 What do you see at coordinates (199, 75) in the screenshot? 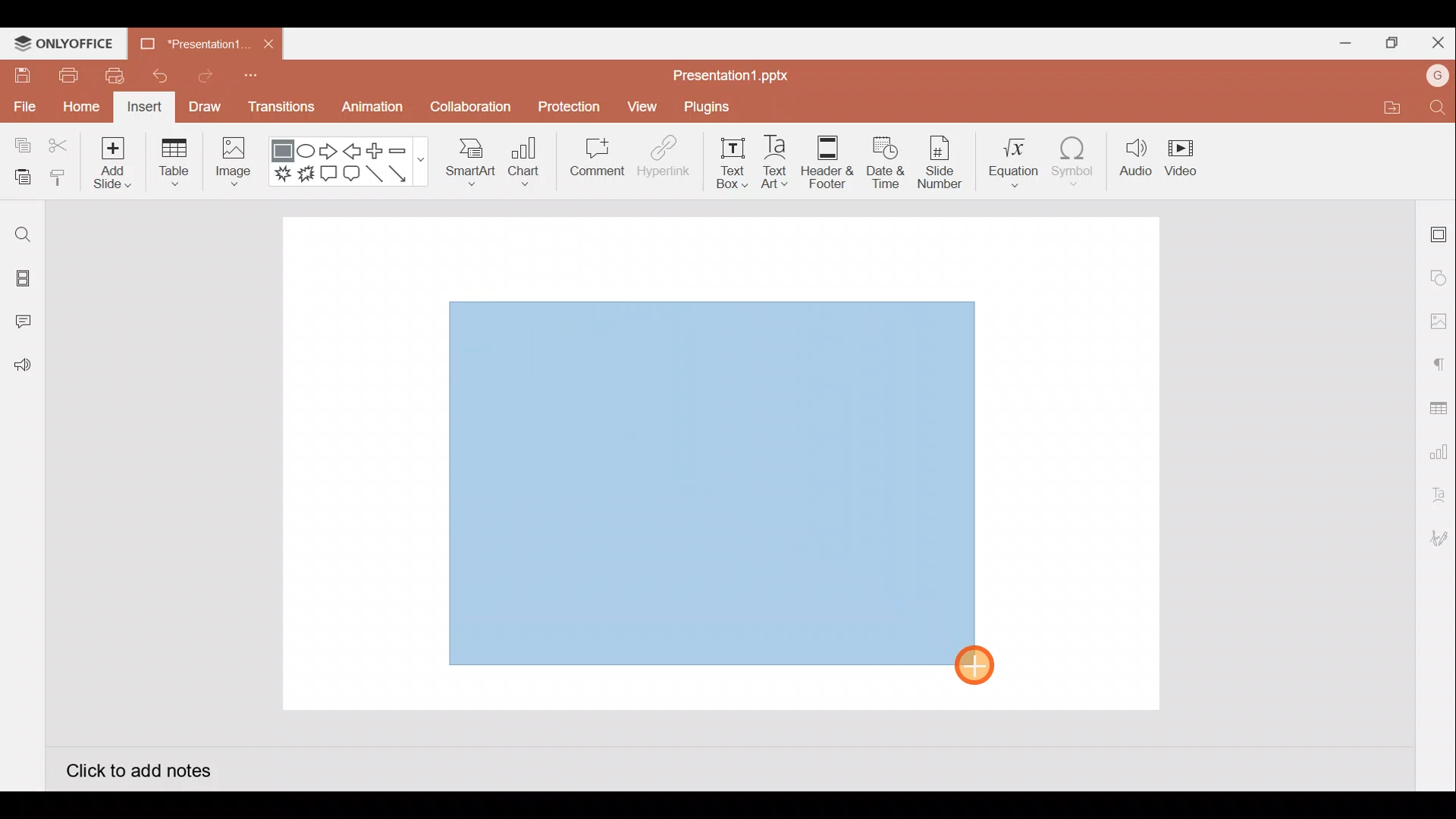
I see `Redo` at bounding box center [199, 75].